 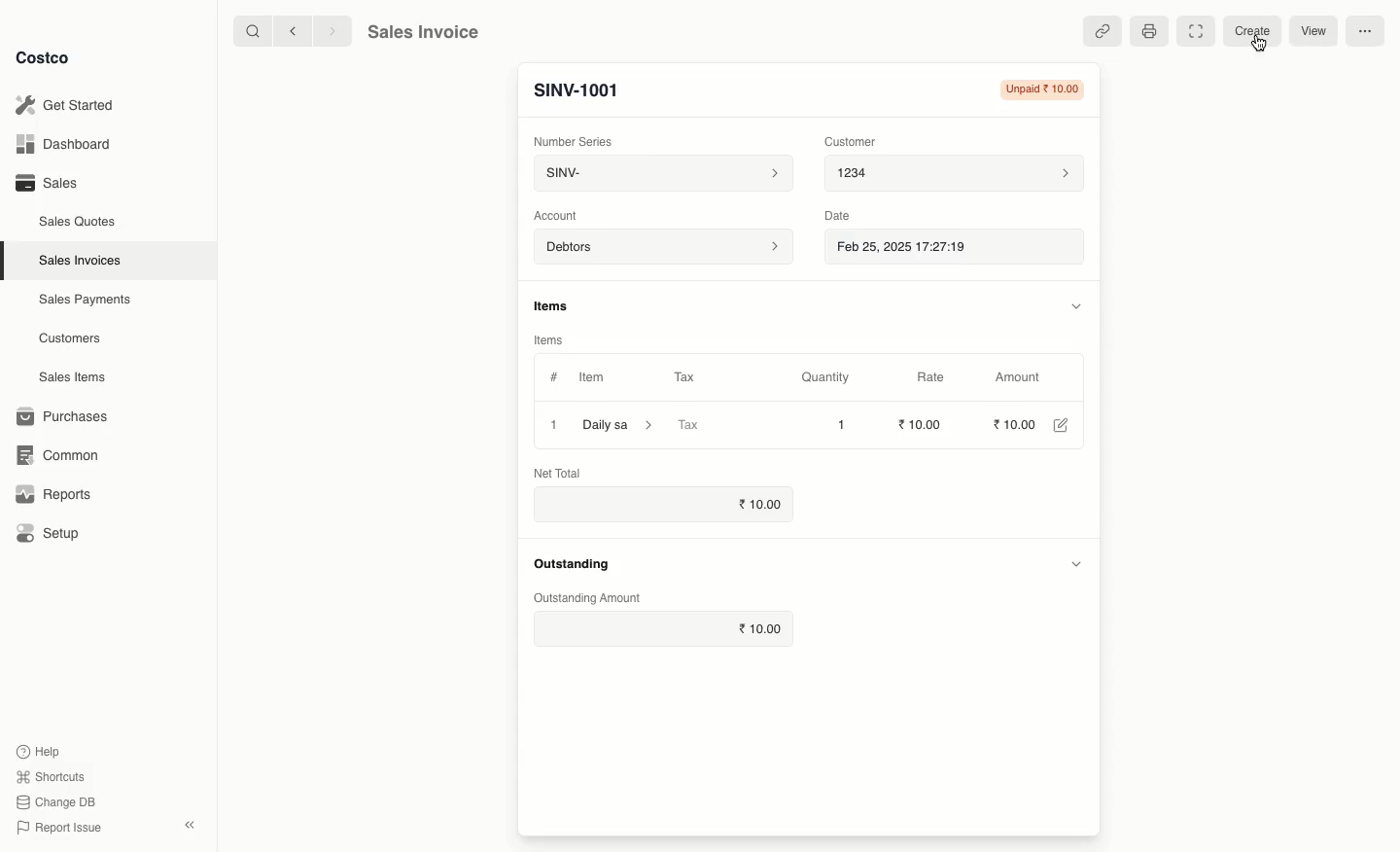 I want to click on Feb 25, 2025 17:27:19, so click(x=915, y=249).